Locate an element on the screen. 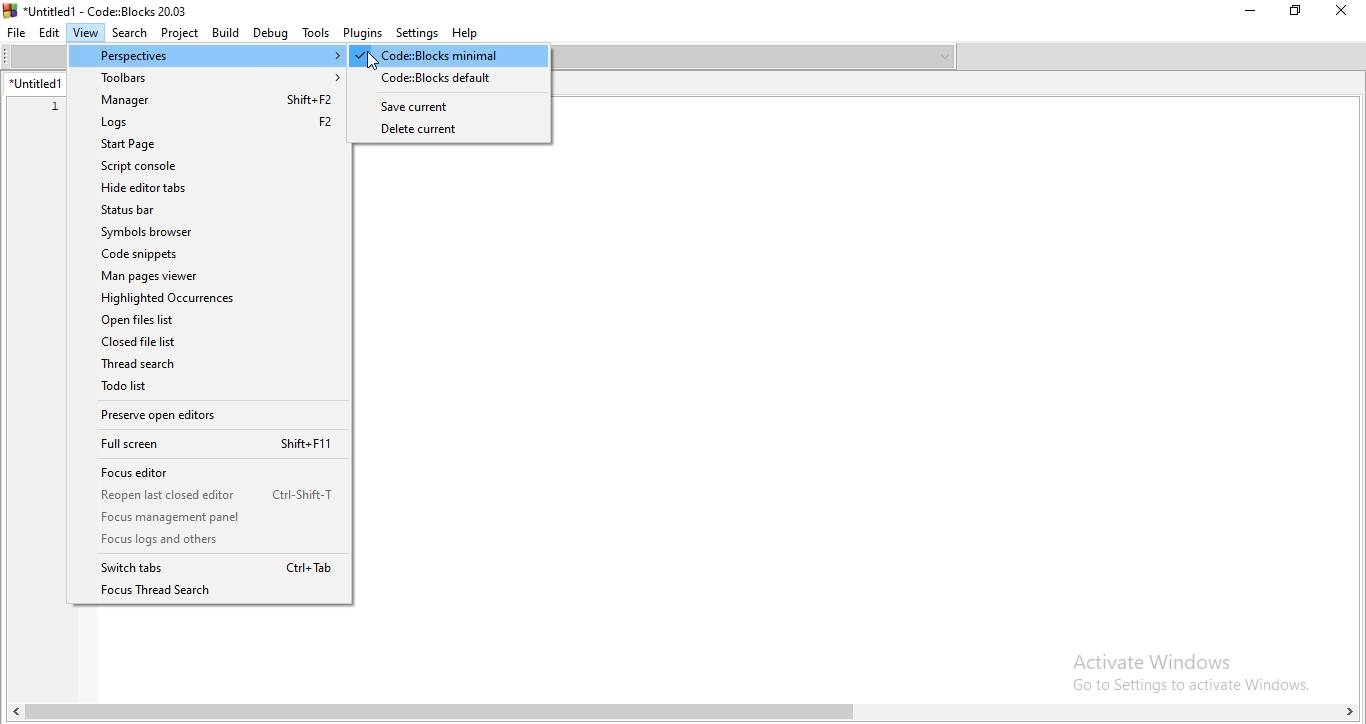 This screenshot has width=1366, height=724. codeblocks default is located at coordinates (452, 81).